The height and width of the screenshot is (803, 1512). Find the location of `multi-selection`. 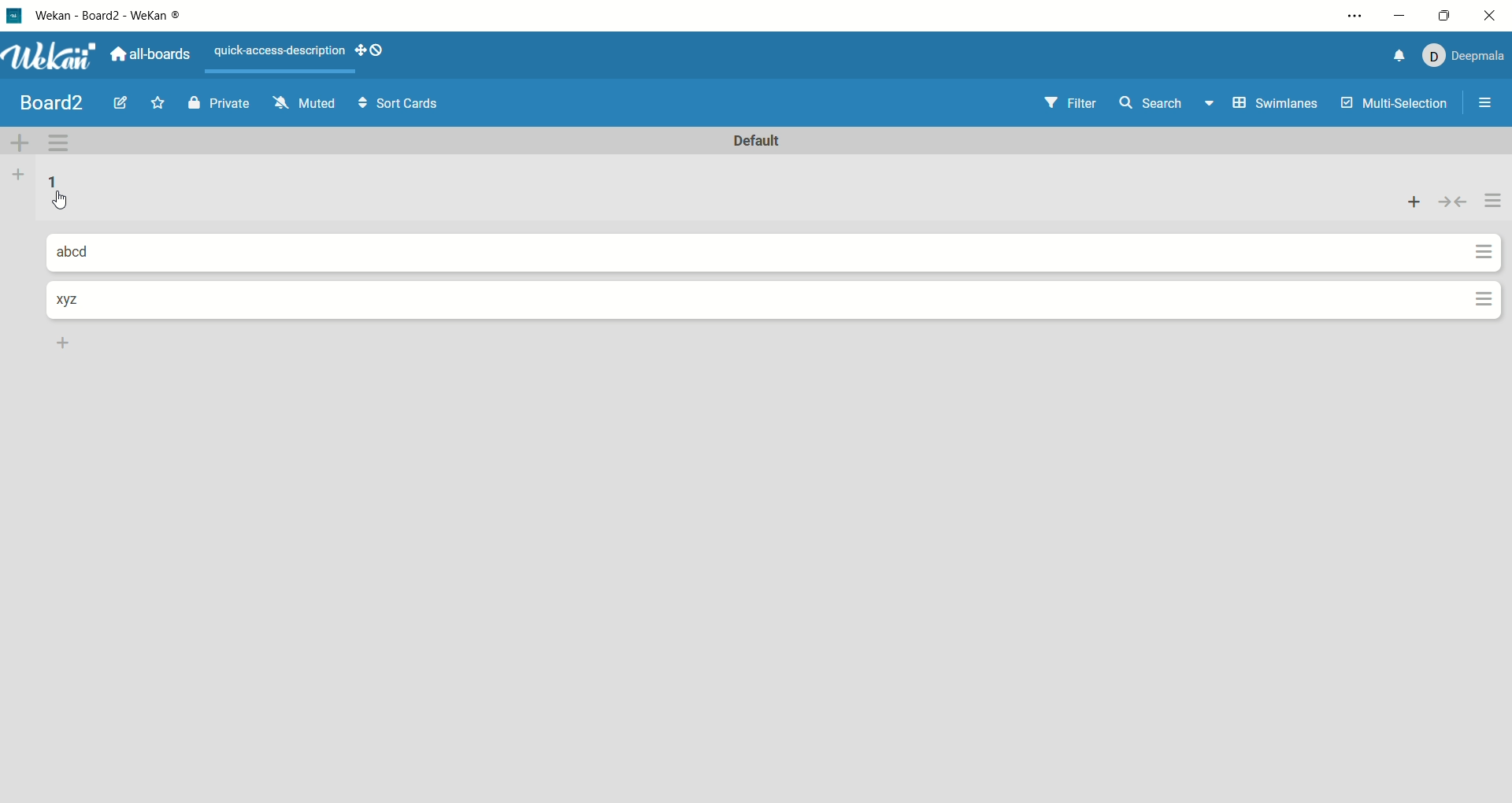

multi-selection is located at coordinates (1395, 105).